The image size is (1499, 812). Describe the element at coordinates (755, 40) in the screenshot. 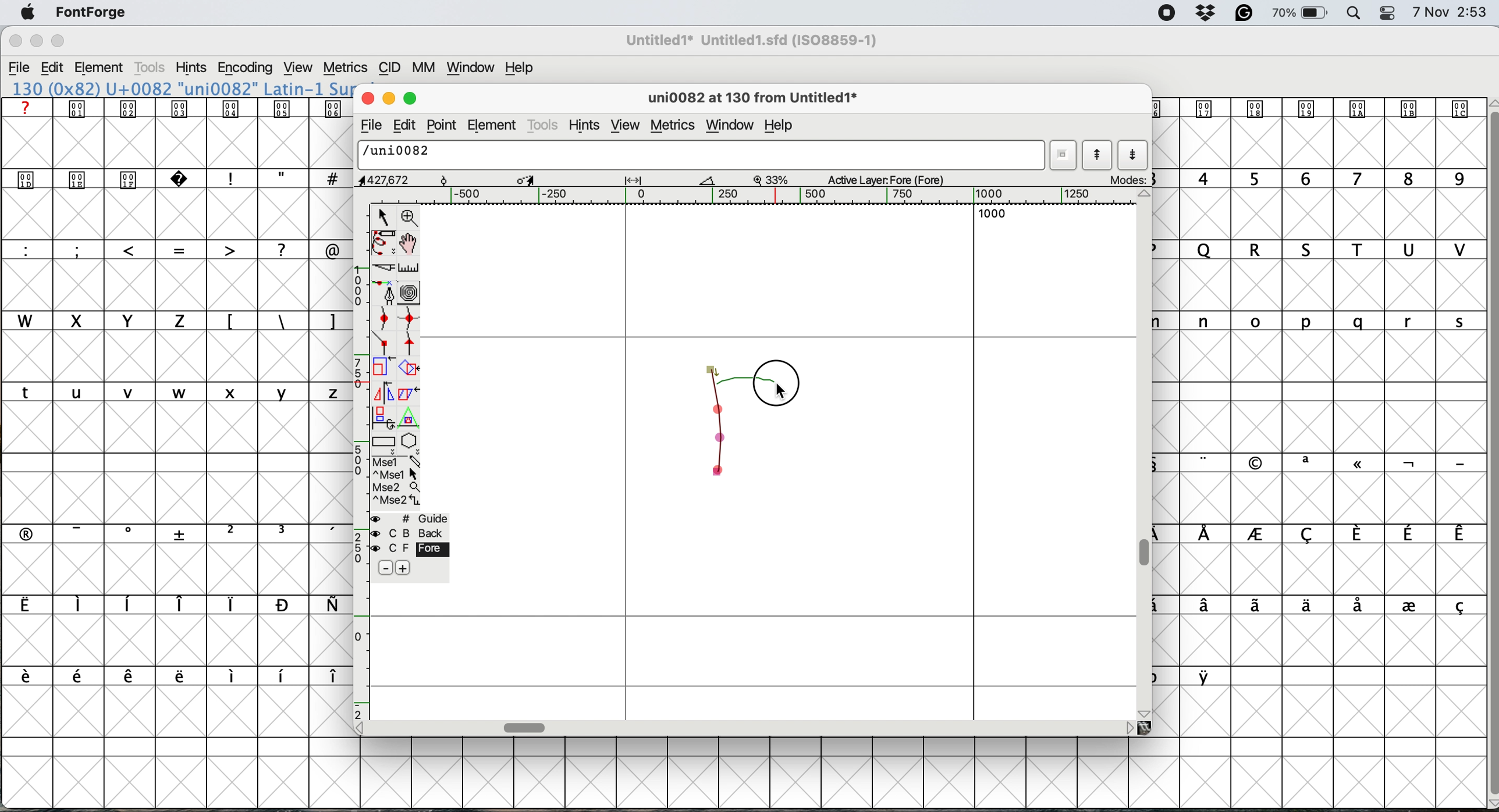

I see `Untitled1 Untitled1.sfd (ISO8859-1)` at that location.